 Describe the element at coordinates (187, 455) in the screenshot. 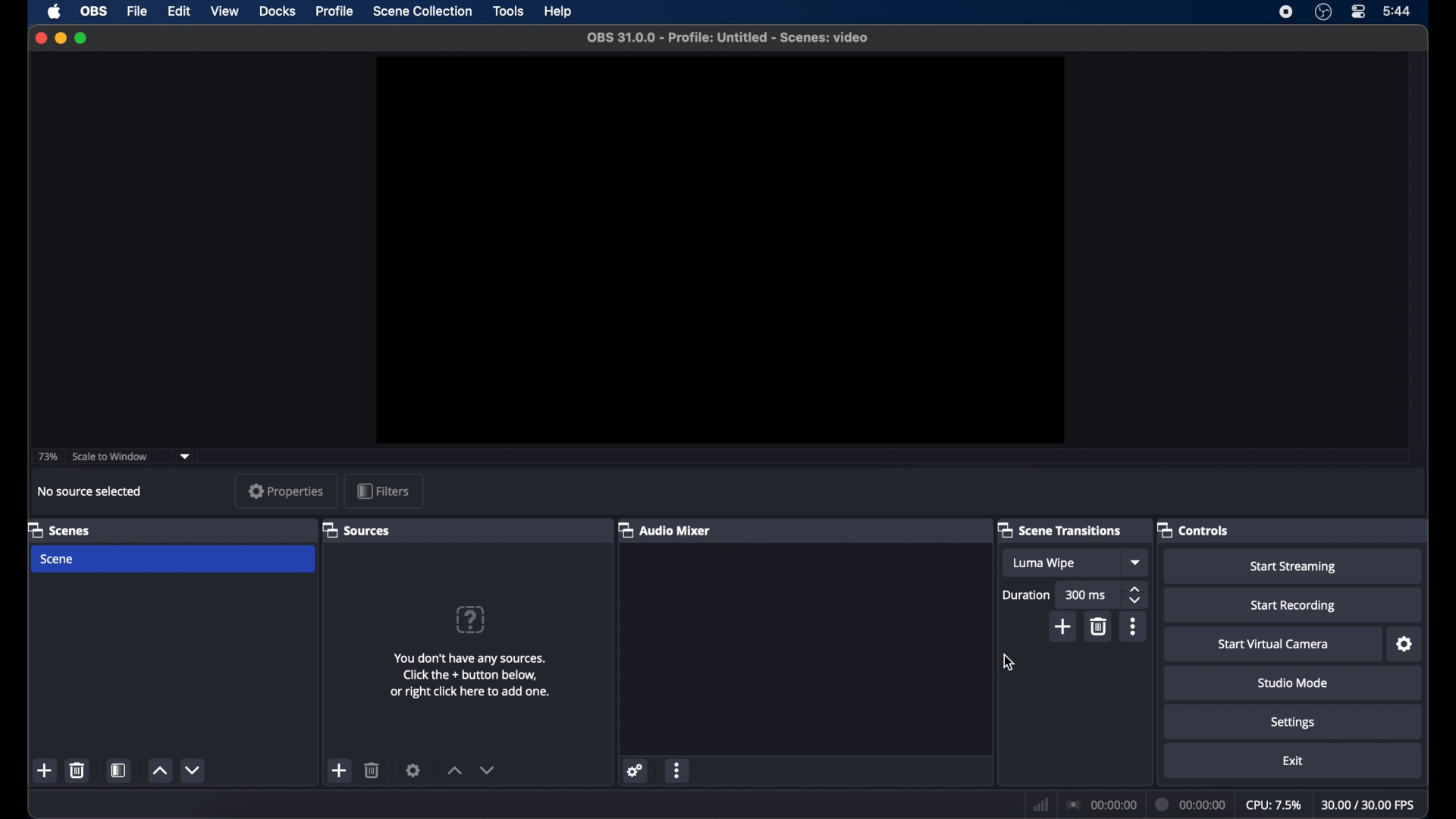

I see `dropdown` at that location.